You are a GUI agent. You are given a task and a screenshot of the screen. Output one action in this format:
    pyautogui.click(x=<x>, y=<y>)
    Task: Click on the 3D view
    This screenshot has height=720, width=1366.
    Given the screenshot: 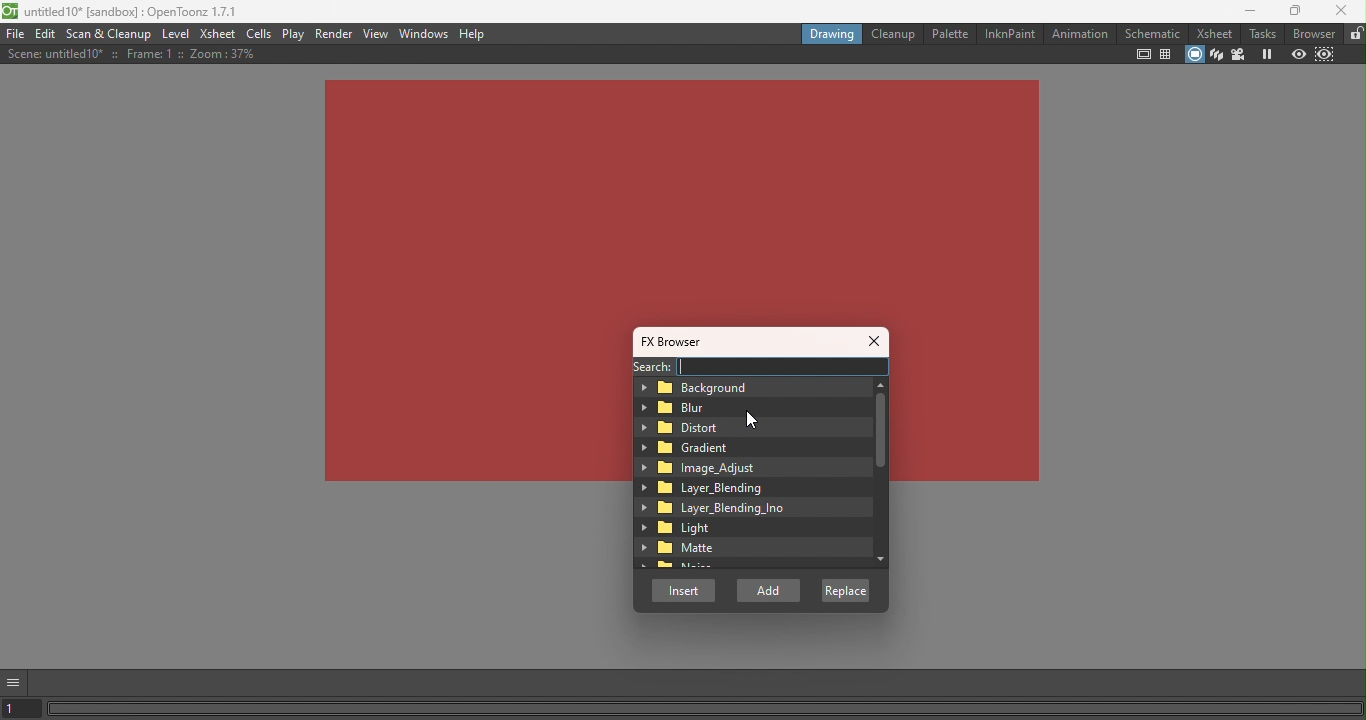 What is the action you would take?
    pyautogui.click(x=1217, y=53)
    